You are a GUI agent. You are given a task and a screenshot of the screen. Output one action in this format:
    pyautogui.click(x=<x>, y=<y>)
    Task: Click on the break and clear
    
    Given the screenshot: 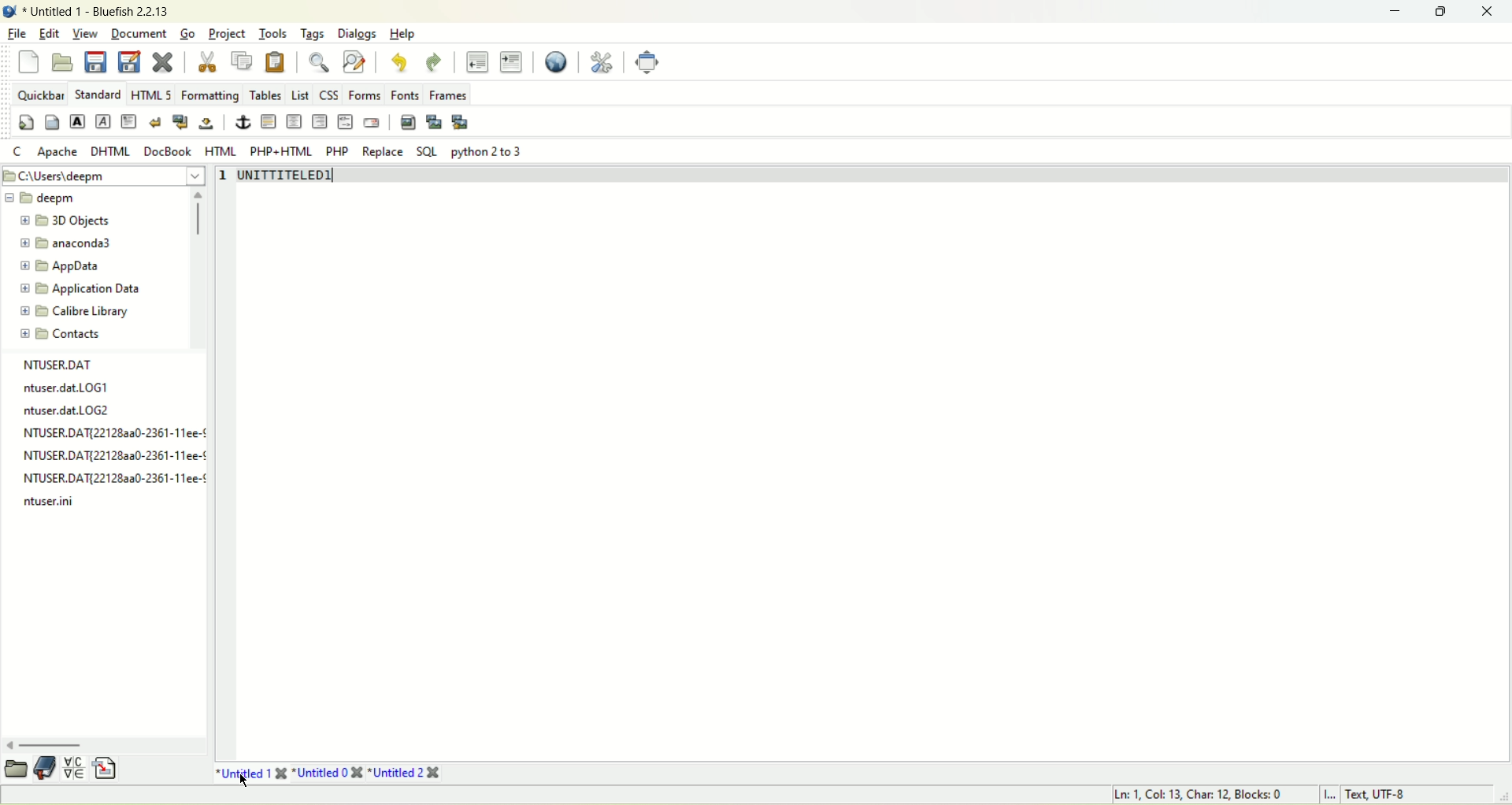 What is the action you would take?
    pyautogui.click(x=180, y=122)
    